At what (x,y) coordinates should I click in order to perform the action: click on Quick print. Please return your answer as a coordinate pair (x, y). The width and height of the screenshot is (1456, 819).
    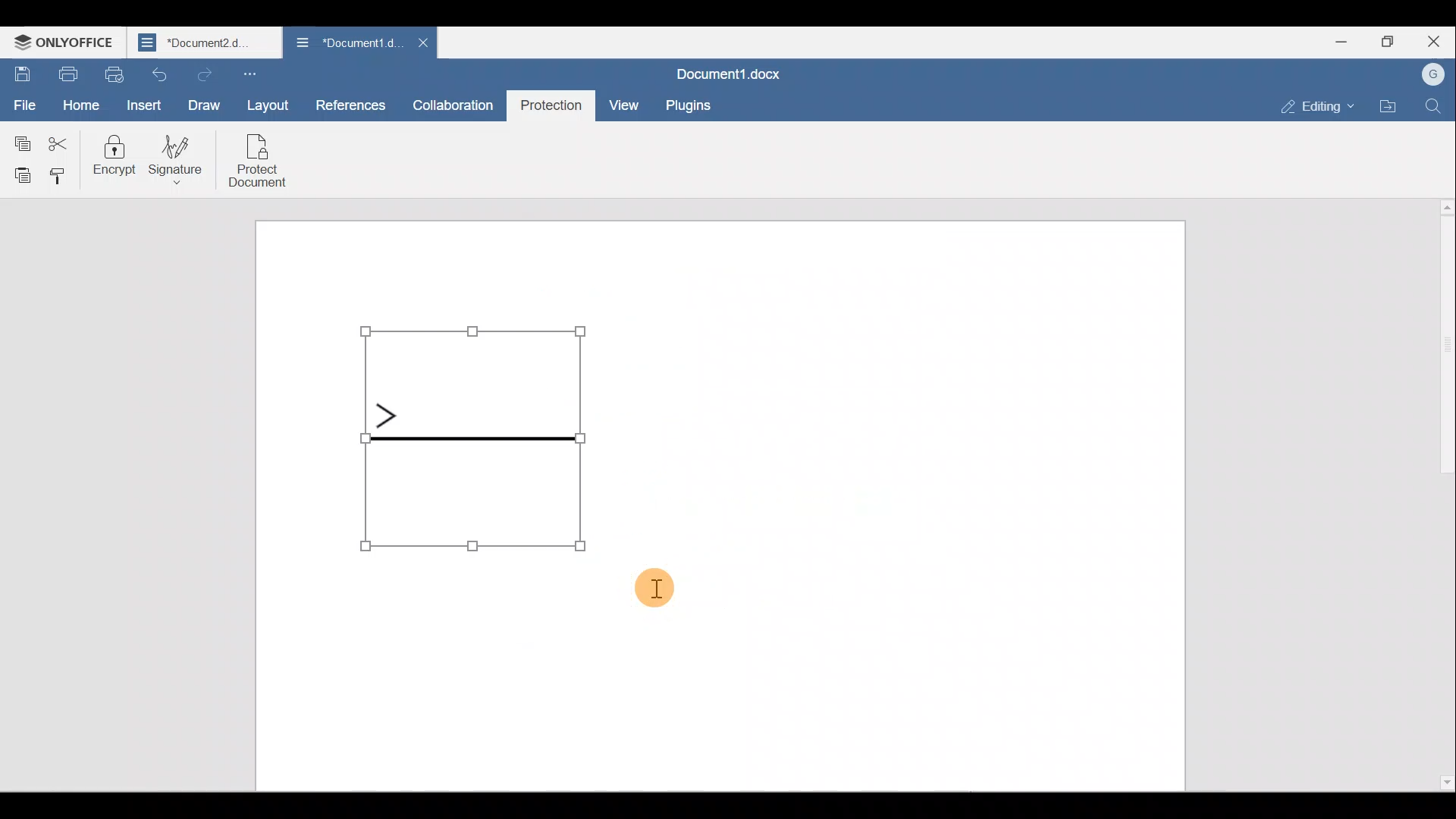
    Looking at the image, I should click on (117, 73).